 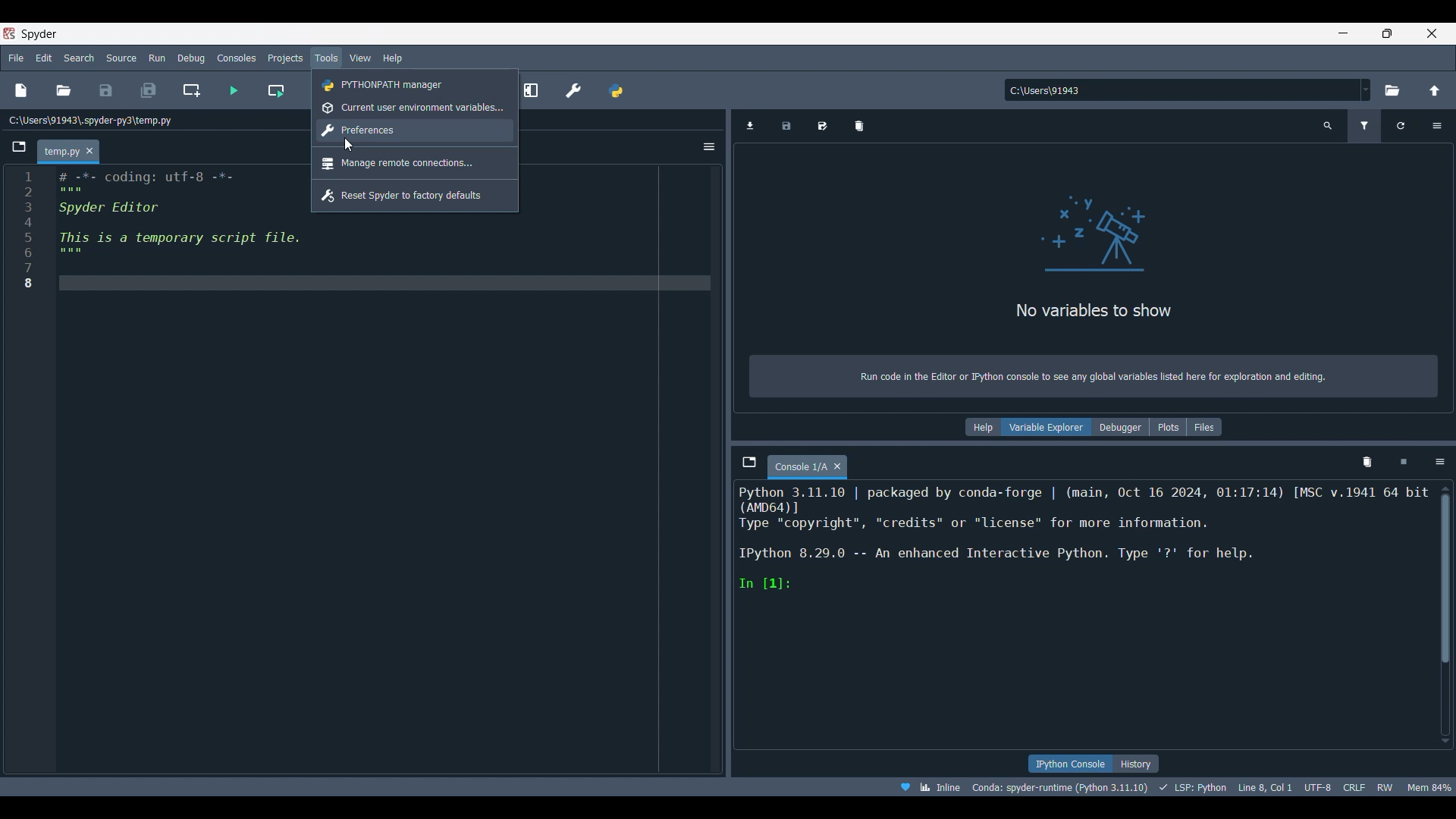 I want to click on Change to parent directory, so click(x=1435, y=91).